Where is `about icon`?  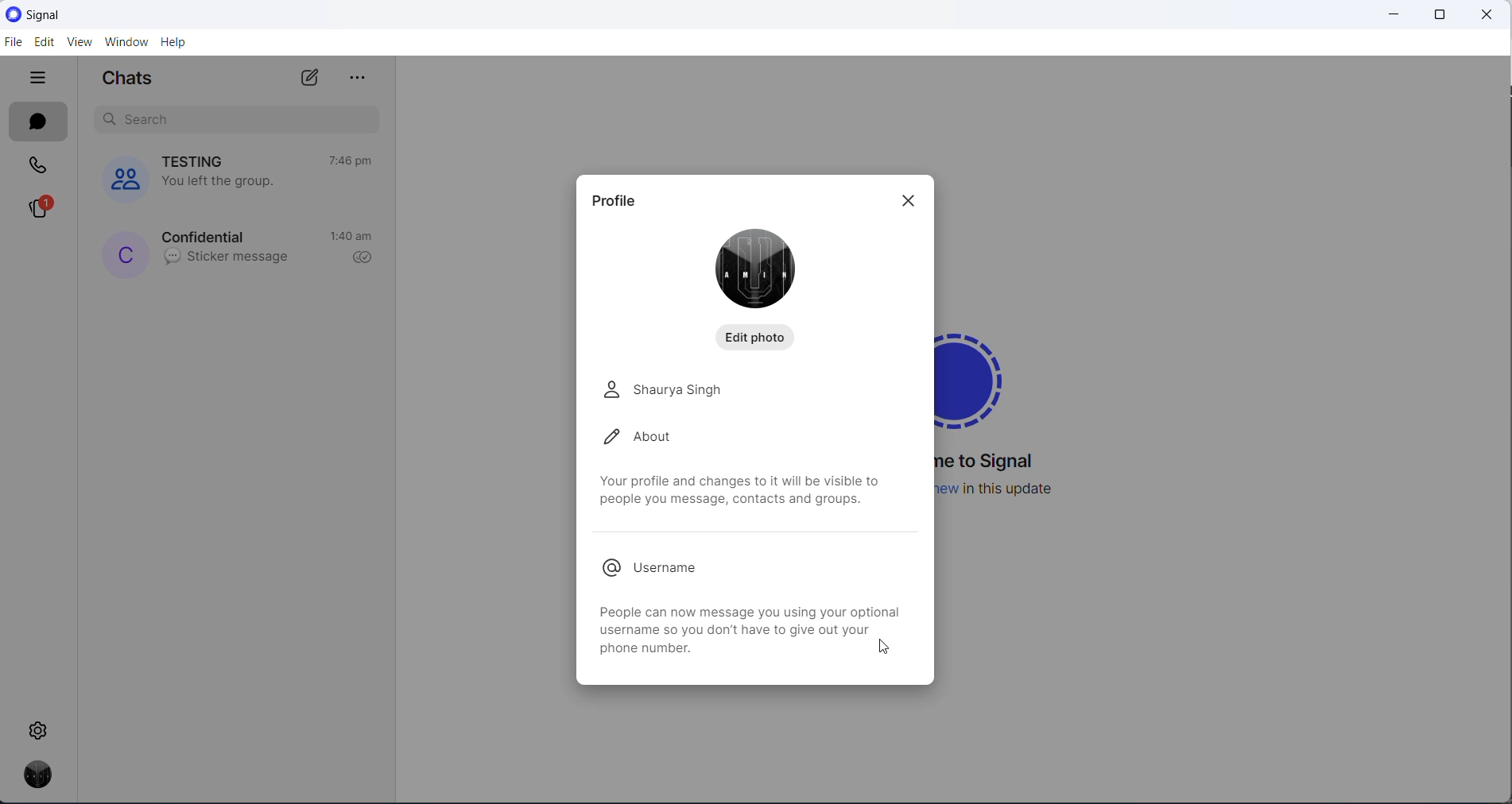 about icon is located at coordinates (607, 438).